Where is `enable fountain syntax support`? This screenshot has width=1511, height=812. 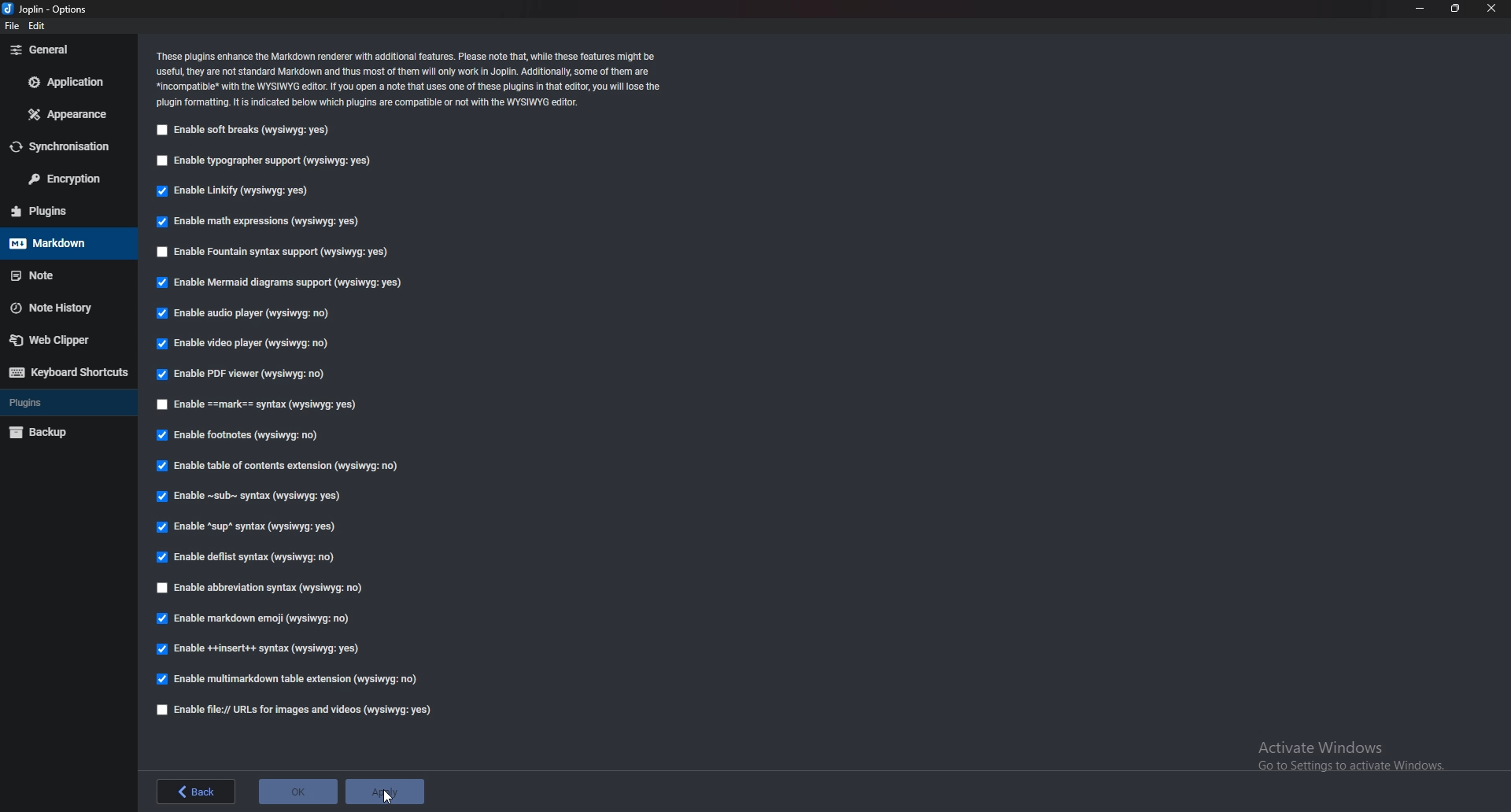
enable fountain syntax support is located at coordinates (277, 252).